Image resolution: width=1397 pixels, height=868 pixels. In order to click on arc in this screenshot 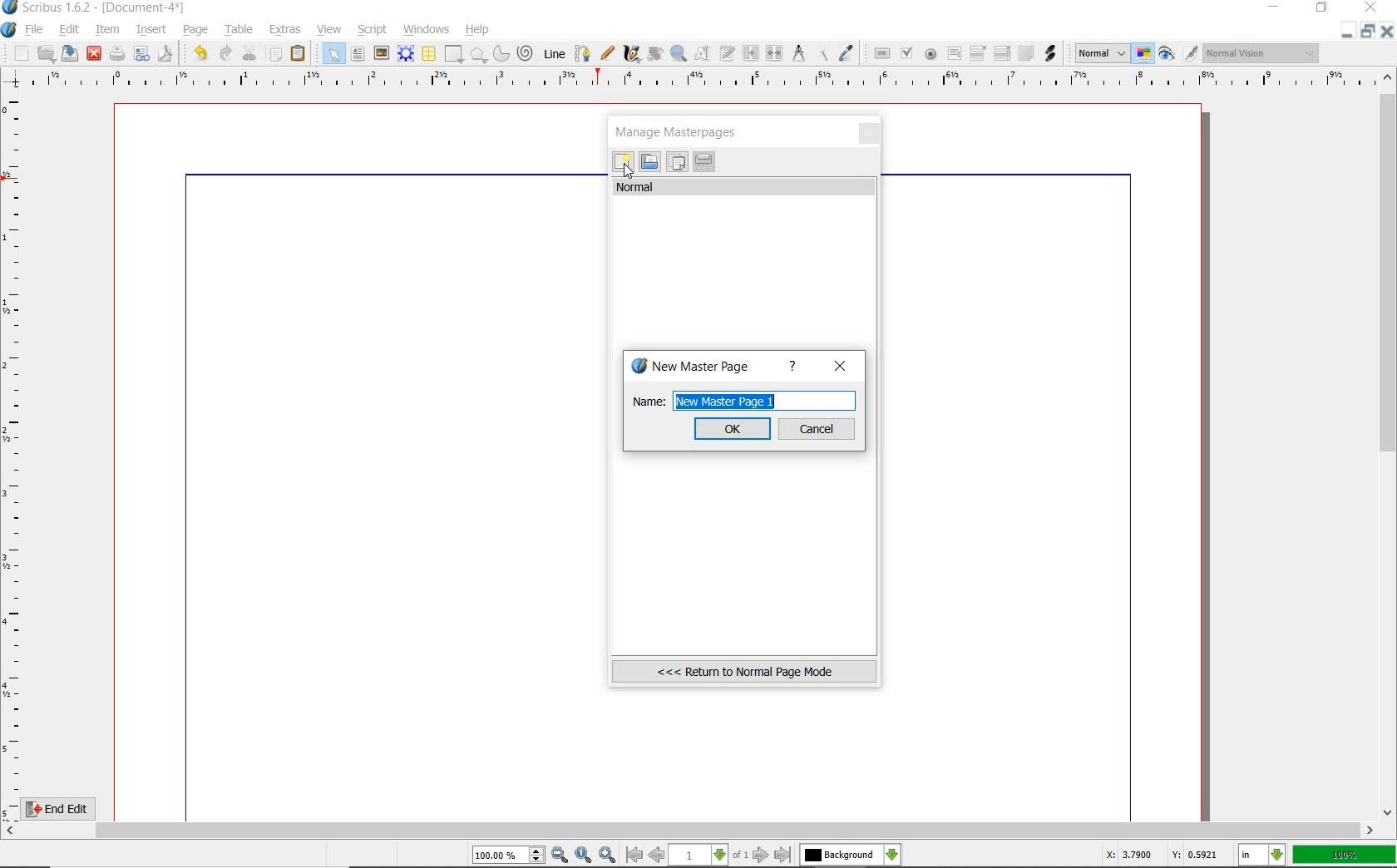, I will do `click(500, 53)`.